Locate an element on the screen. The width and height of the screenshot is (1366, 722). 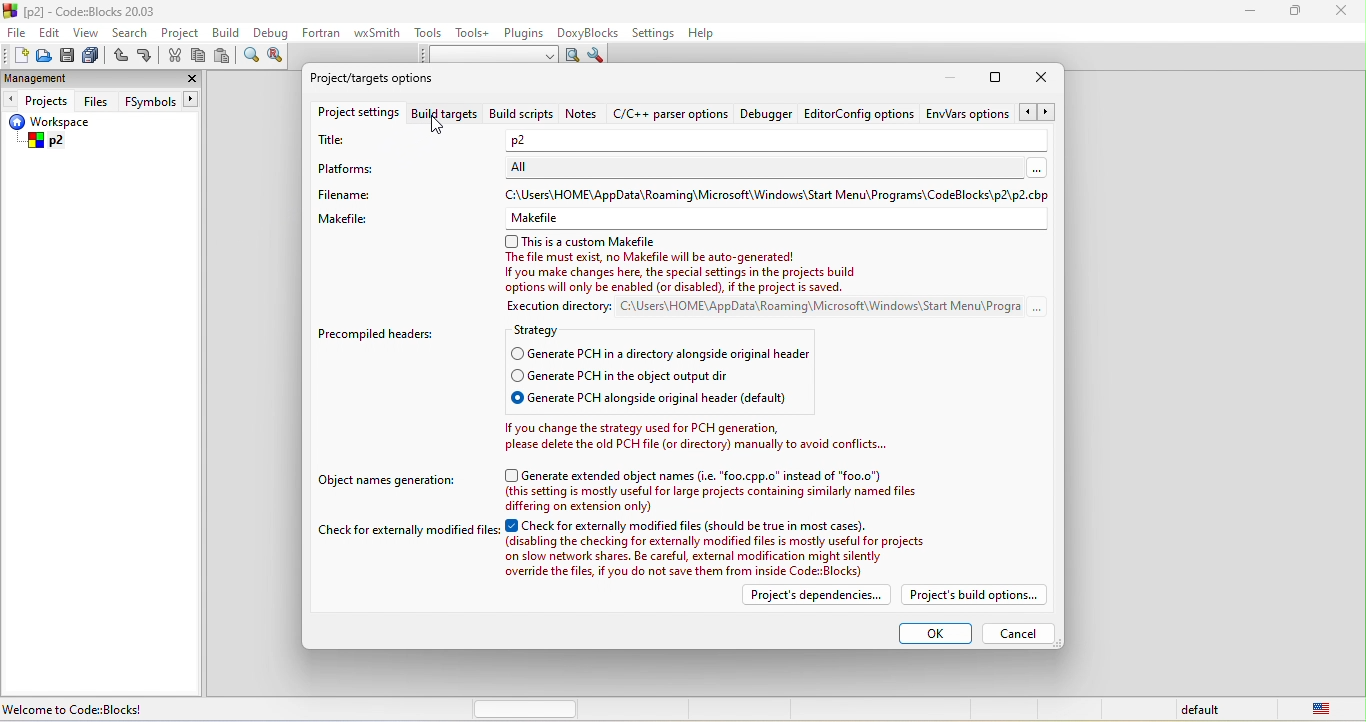
p2 is located at coordinates (522, 139).